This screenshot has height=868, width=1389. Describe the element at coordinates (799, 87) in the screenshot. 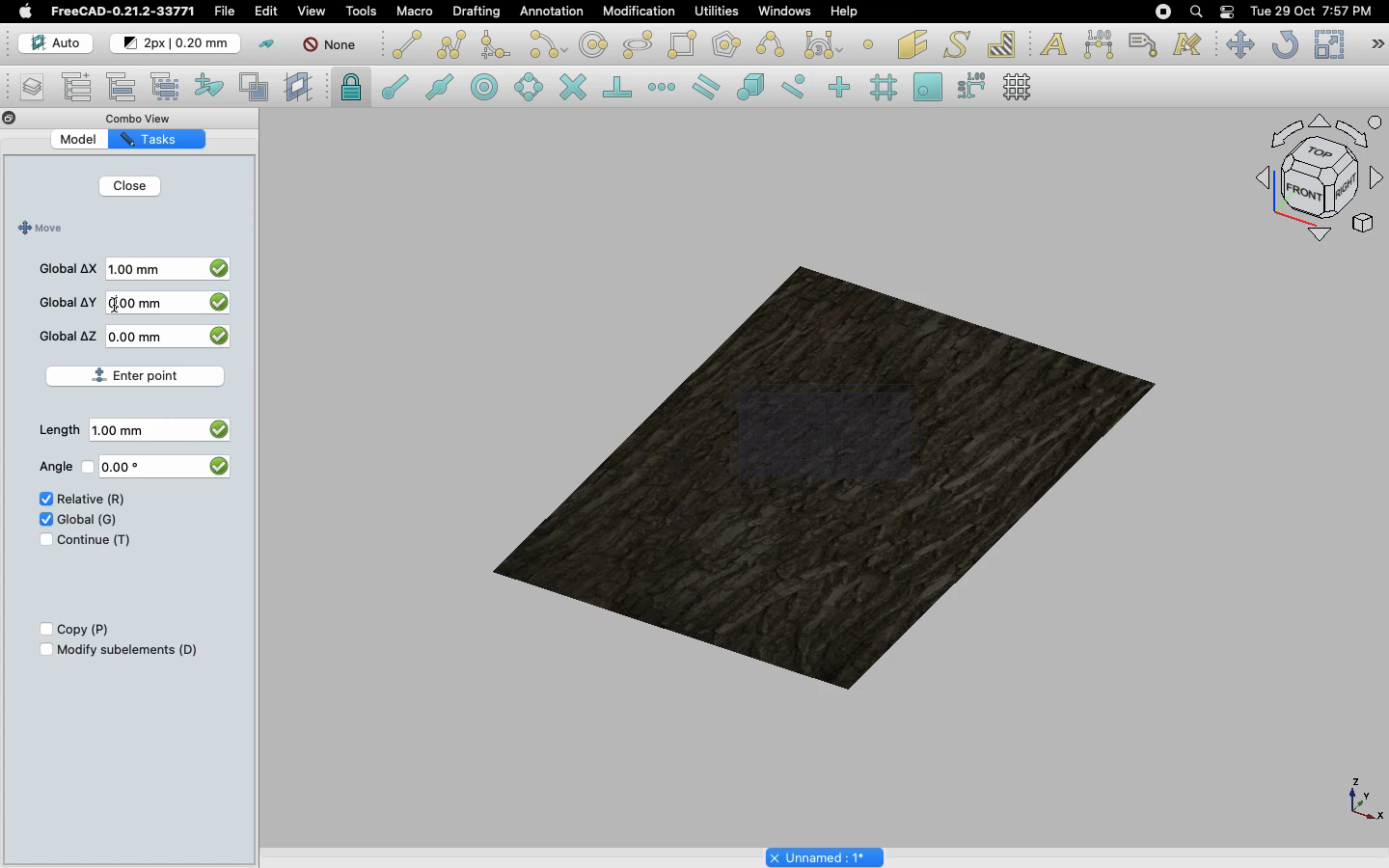

I see `Snap near` at that location.